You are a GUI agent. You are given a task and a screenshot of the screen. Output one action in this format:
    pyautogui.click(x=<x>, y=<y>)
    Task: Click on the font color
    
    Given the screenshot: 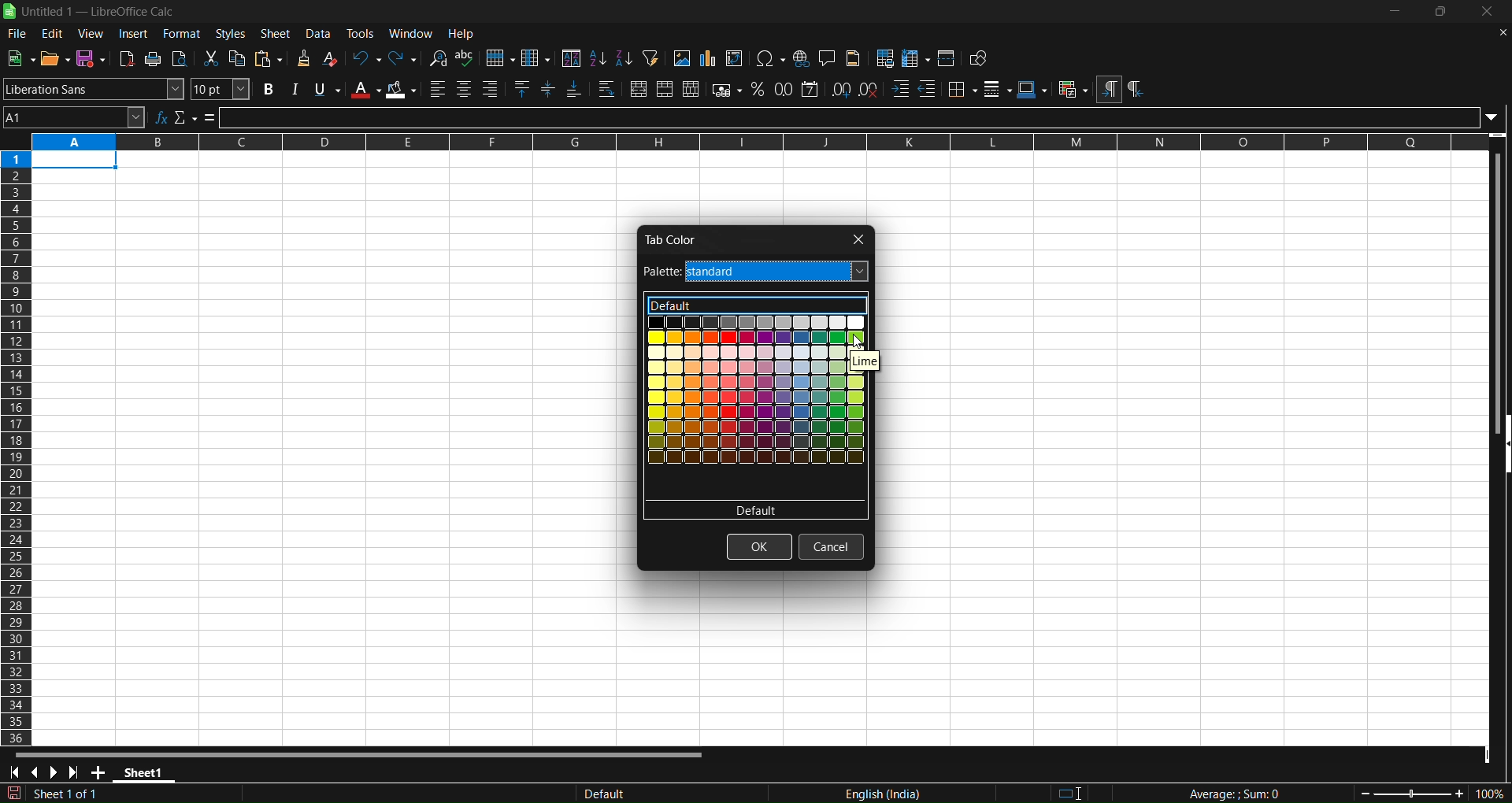 What is the action you would take?
    pyautogui.click(x=365, y=89)
    